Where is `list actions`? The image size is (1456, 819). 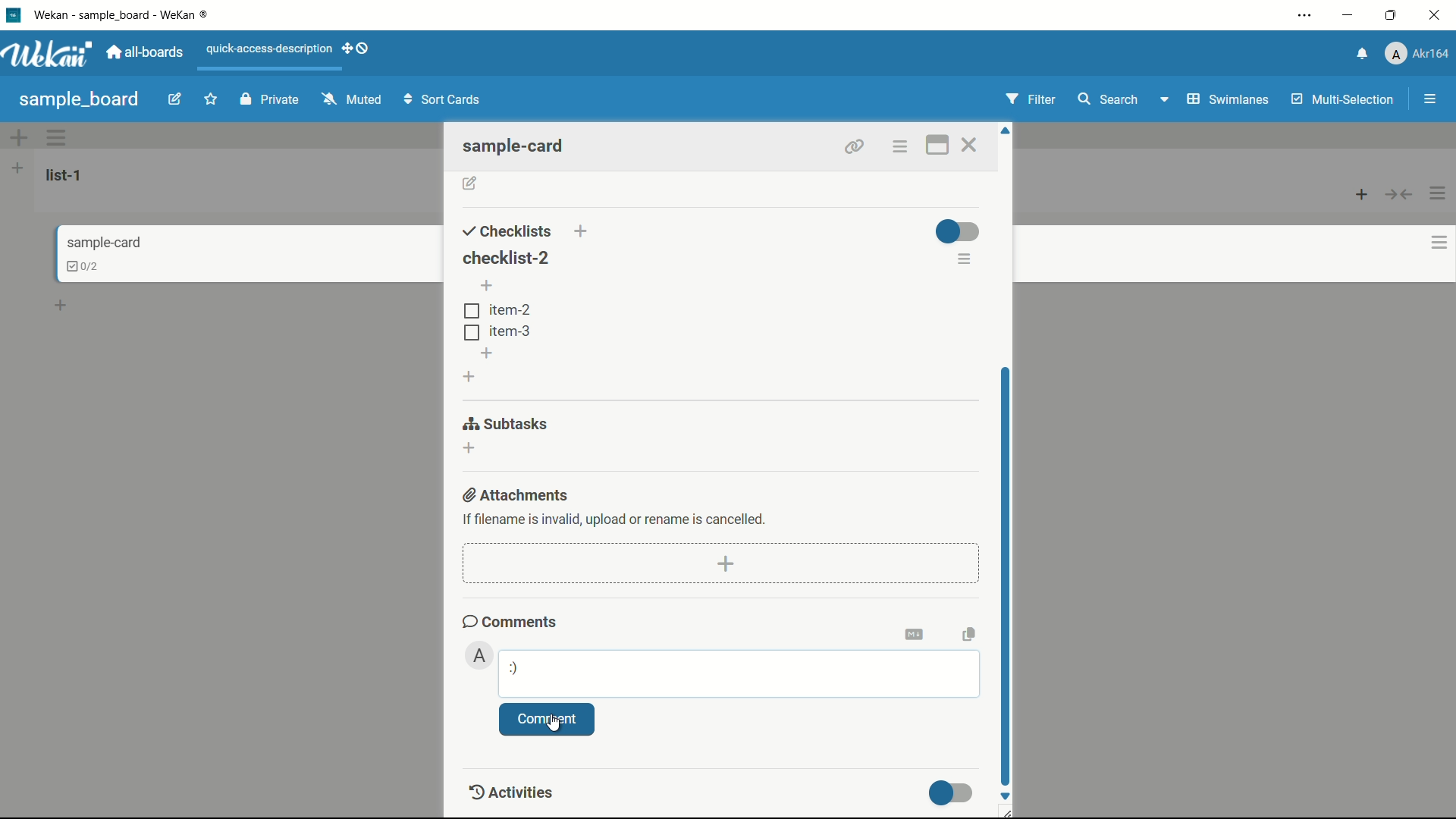
list actions is located at coordinates (1439, 193).